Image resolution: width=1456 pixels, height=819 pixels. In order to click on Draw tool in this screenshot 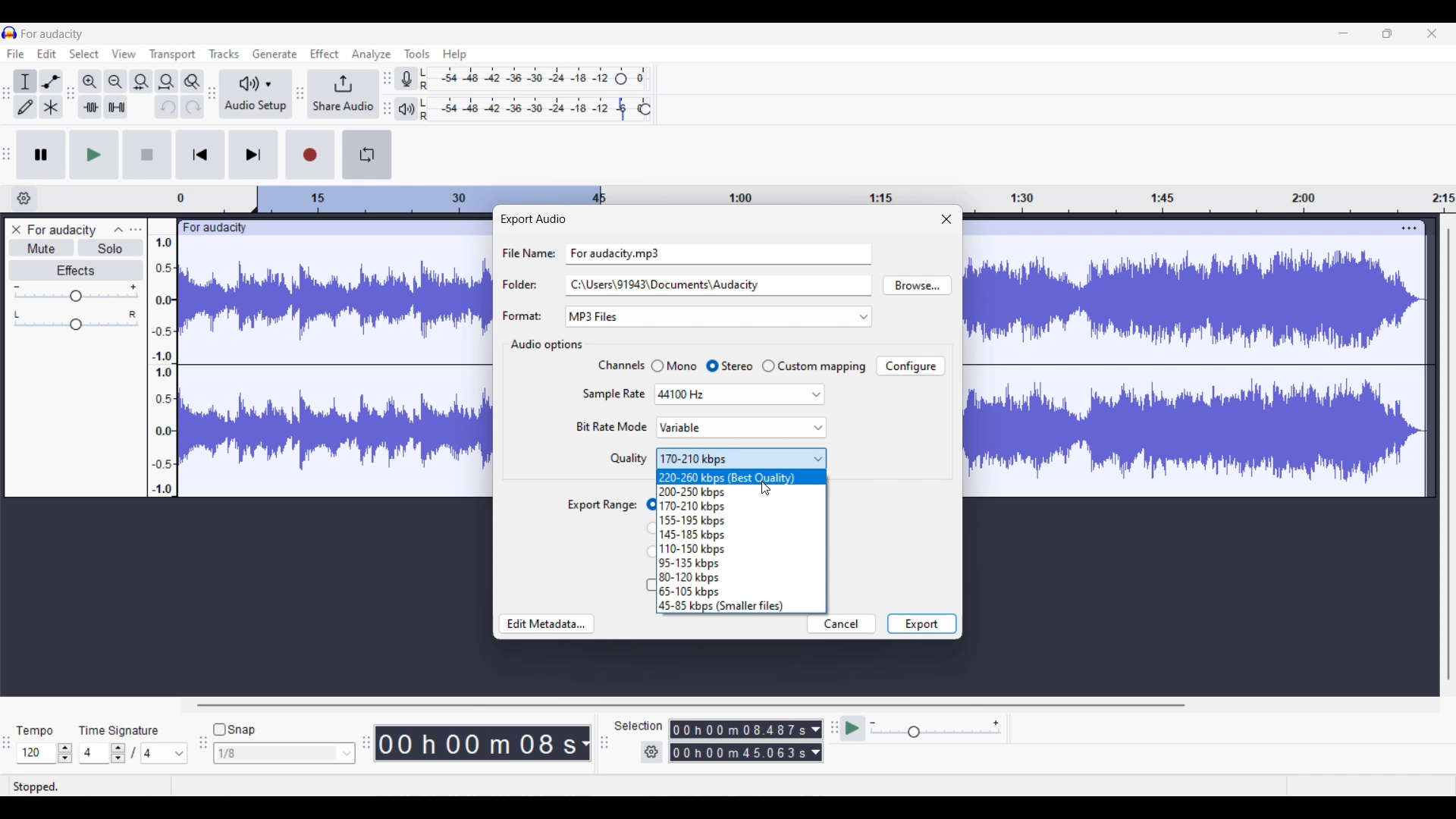, I will do `click(25, 107)`.